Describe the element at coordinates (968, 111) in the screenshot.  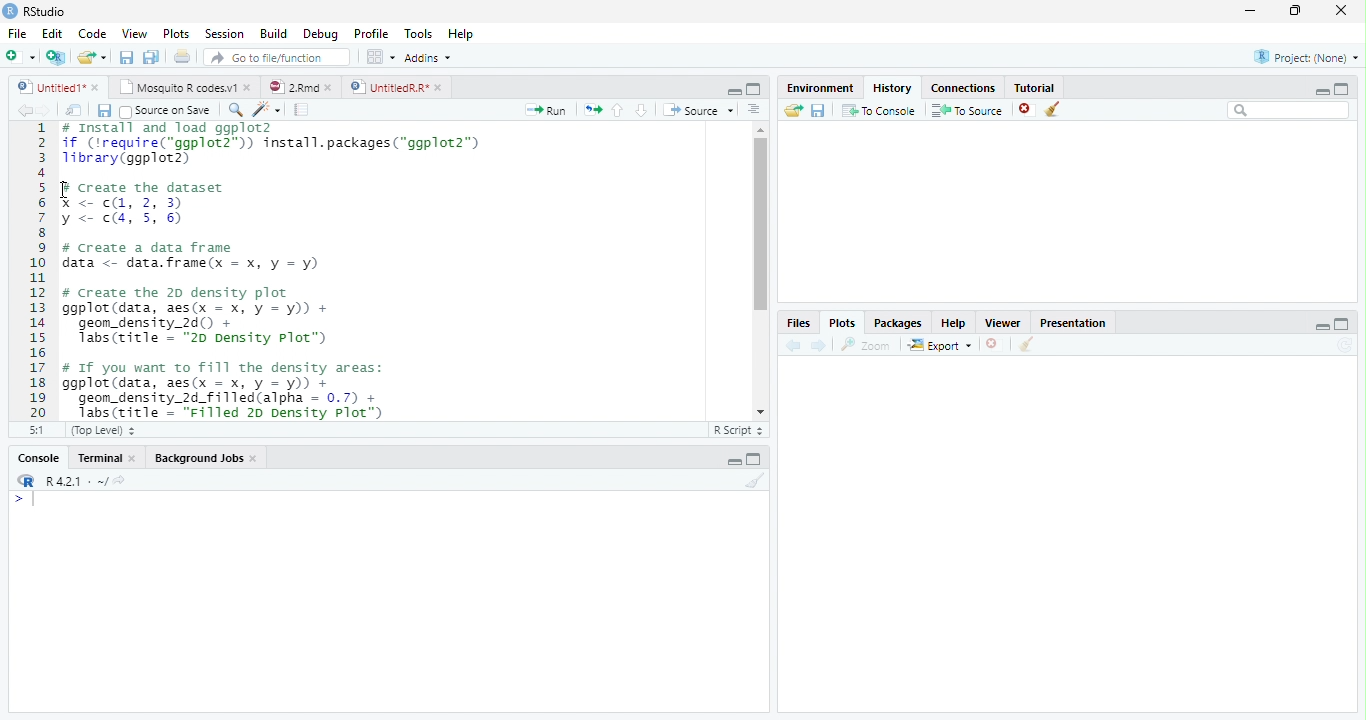
I see `To source` at that location.